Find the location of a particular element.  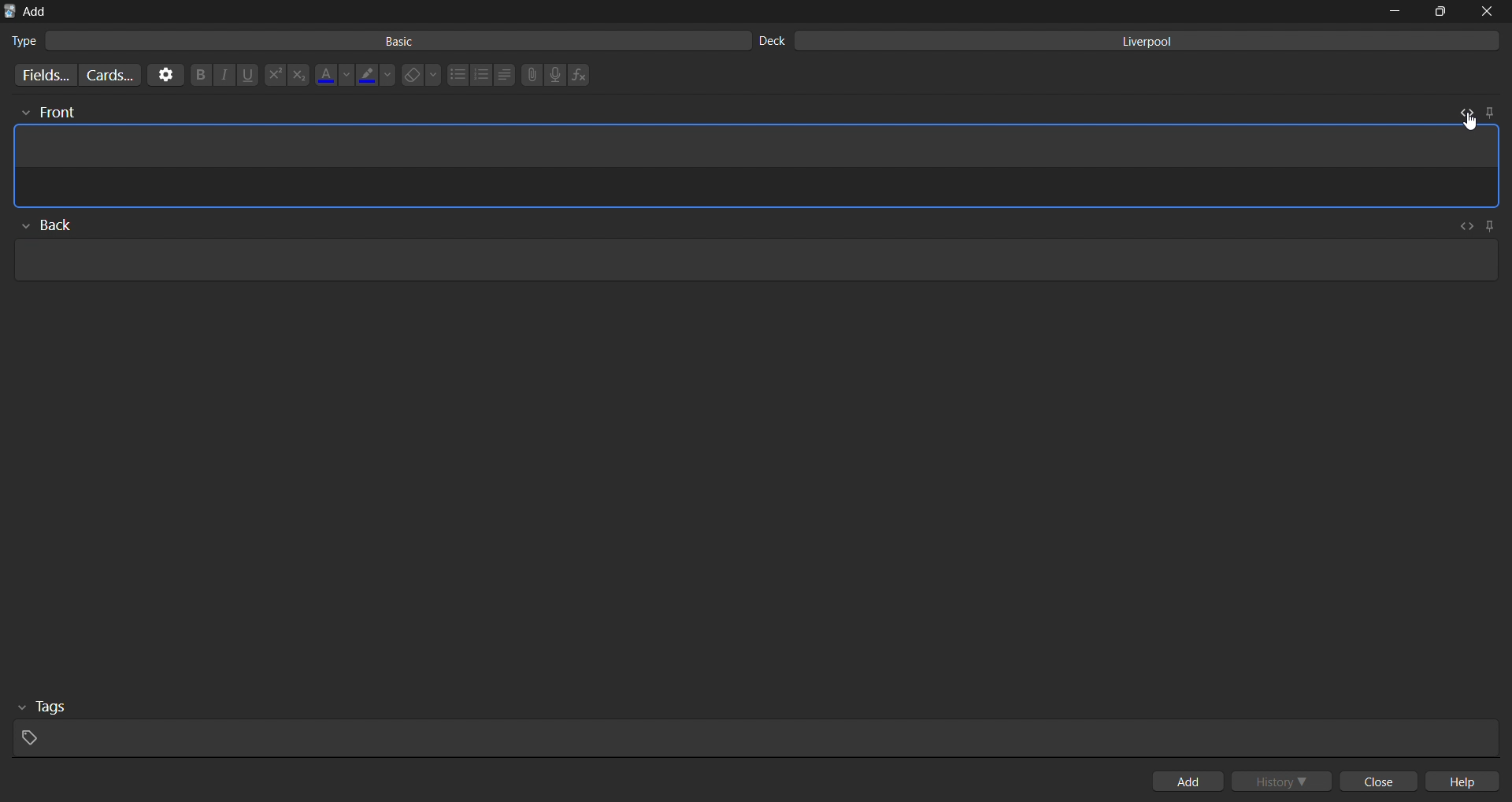

underline is located at coordinates (249, 75).